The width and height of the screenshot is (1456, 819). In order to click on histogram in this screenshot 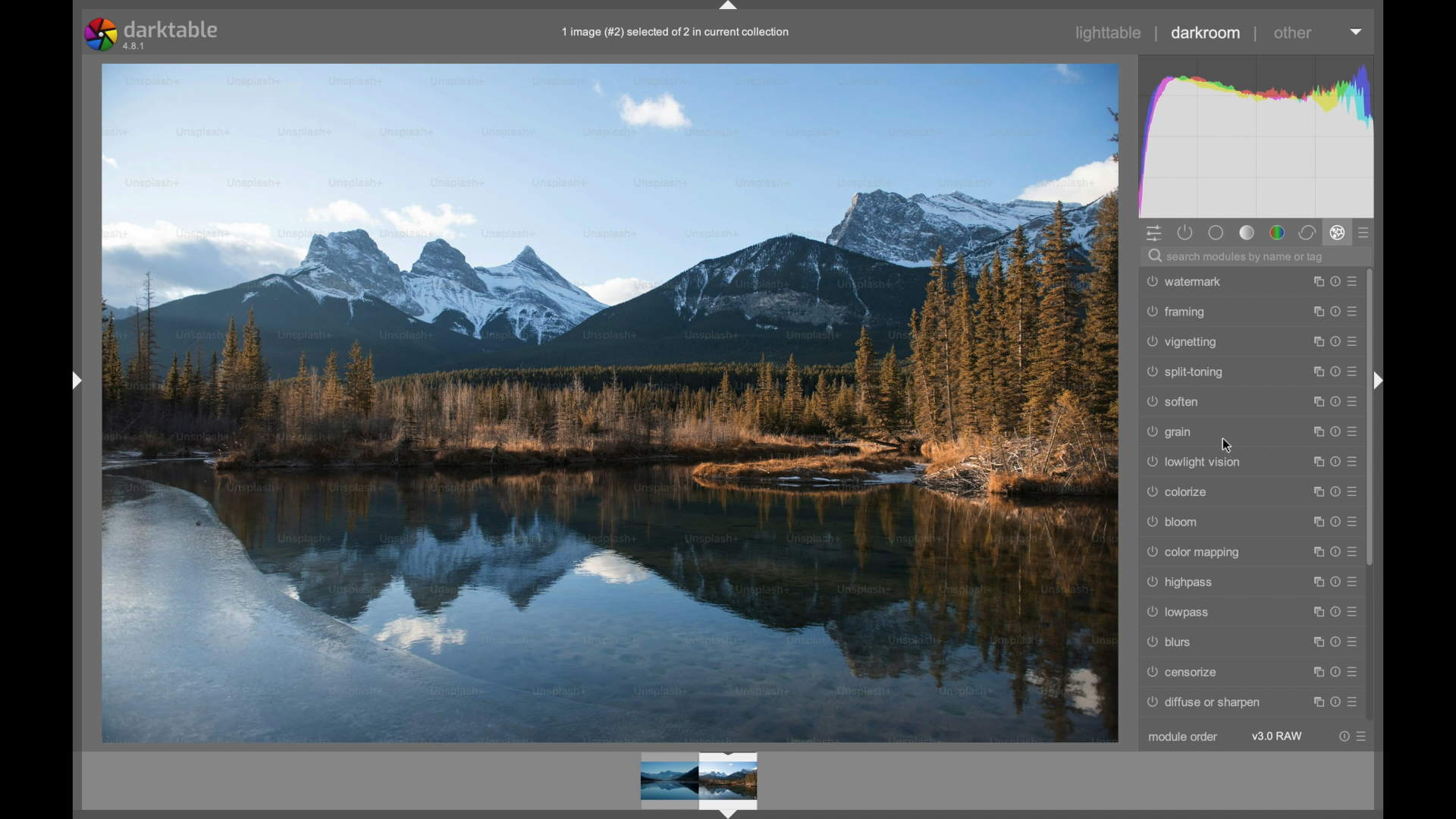, I will do `click(1254, 134)`.